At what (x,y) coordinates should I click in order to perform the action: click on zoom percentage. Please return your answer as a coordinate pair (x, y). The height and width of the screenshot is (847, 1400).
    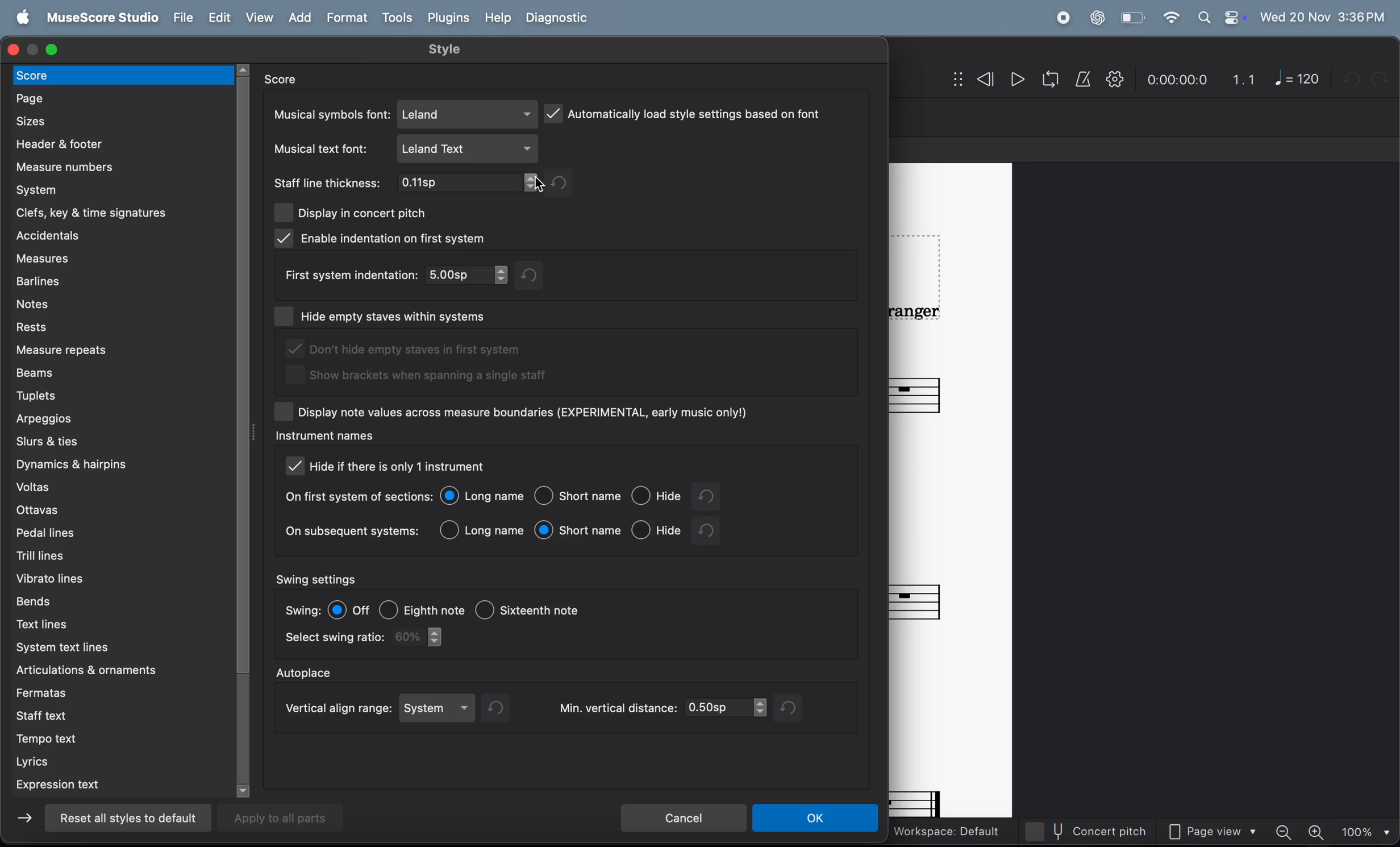
    Looking at the image, I should click on (1364, 832).